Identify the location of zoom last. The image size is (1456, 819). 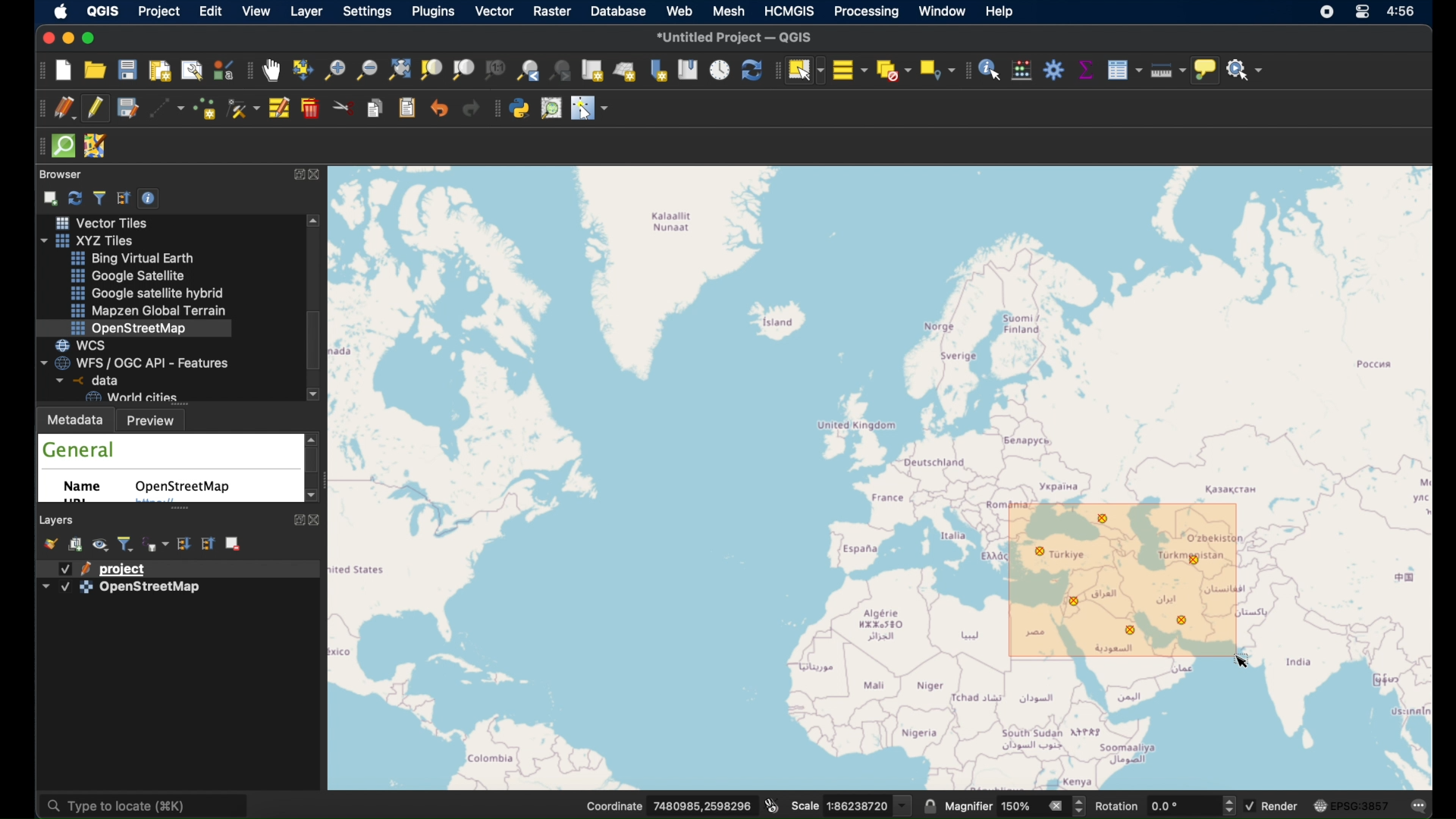
(525, 70).